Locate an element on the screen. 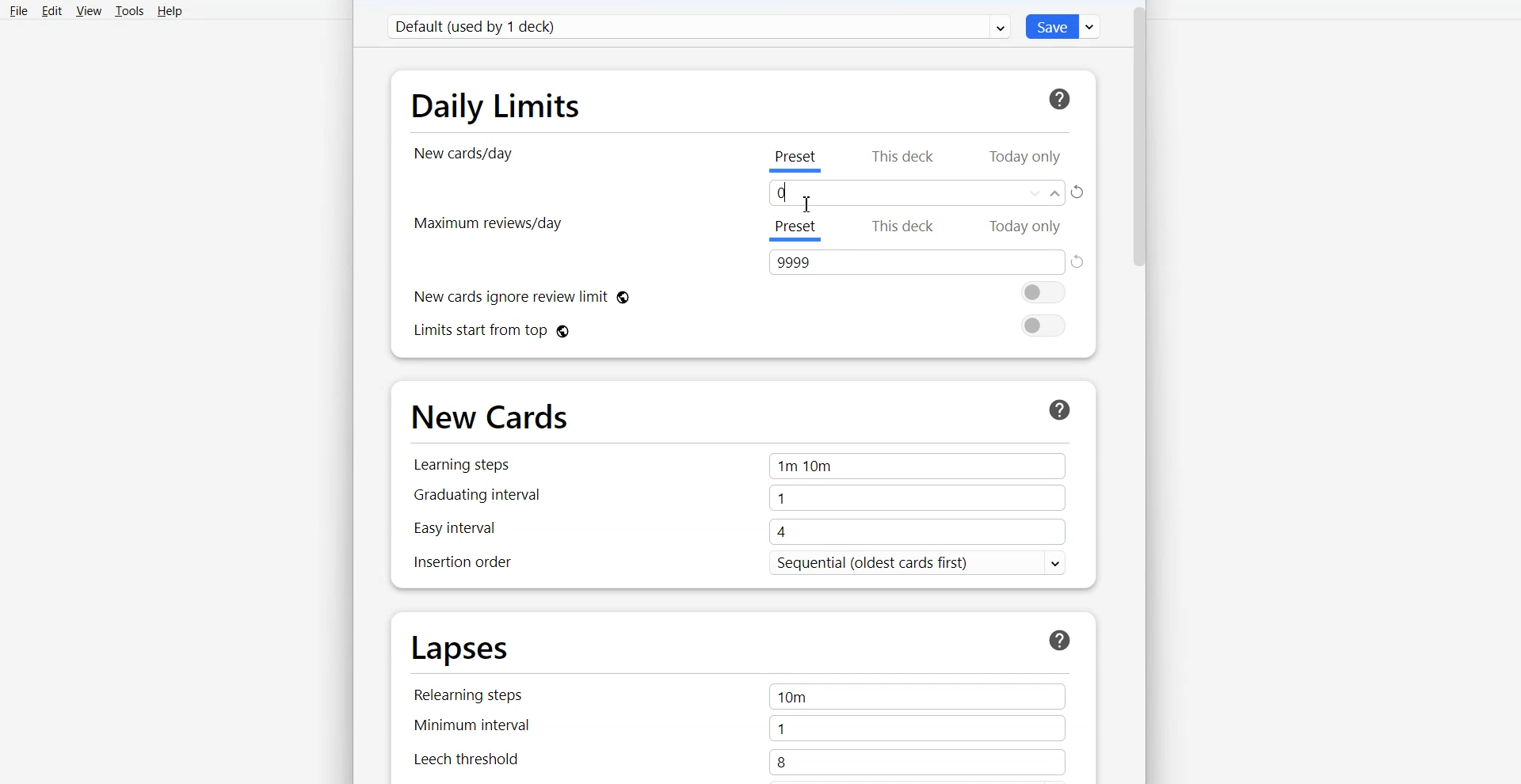  Leech threshold is located at coordinates (490, 763).